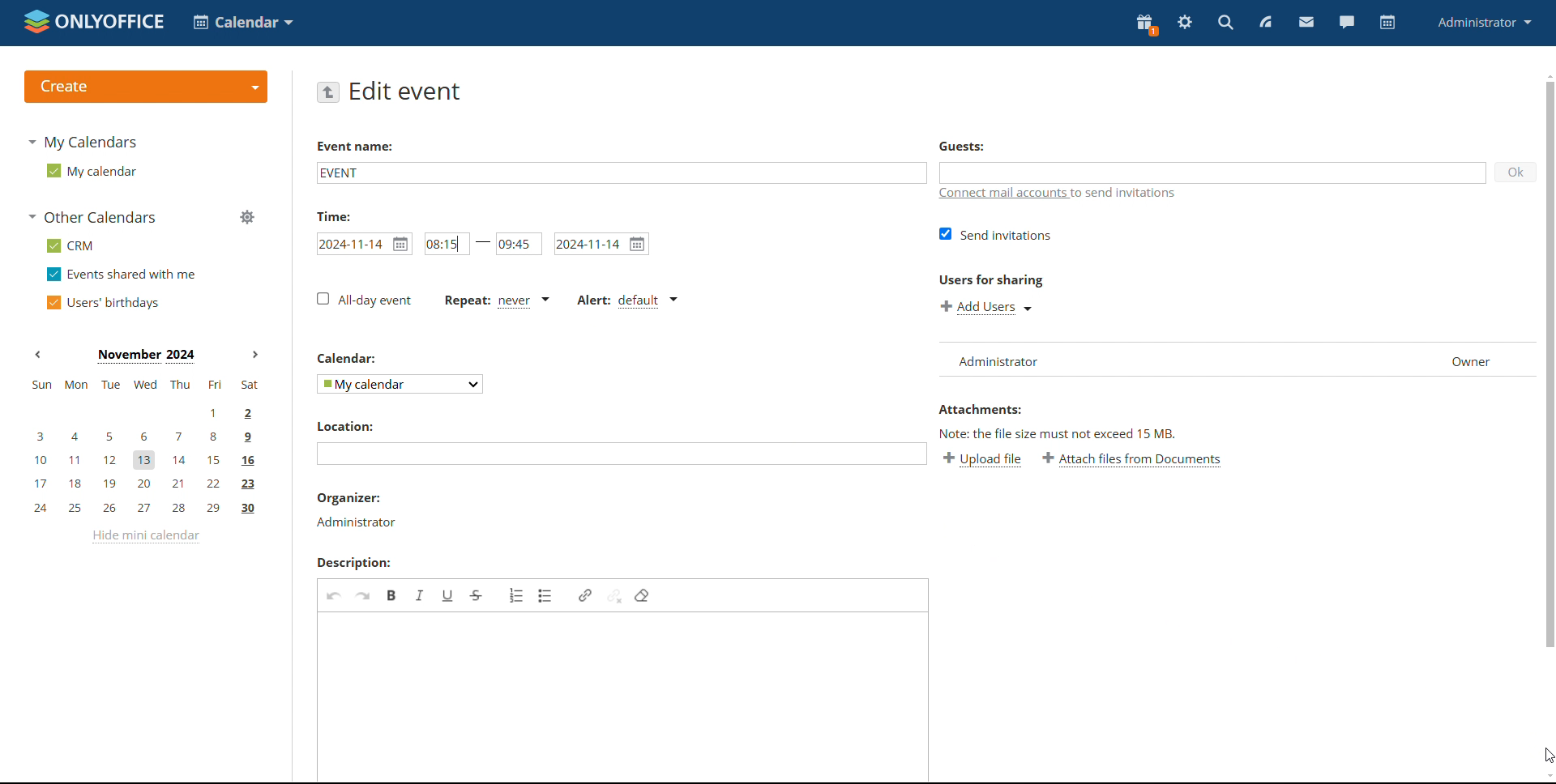 The height and width of the screenshot is (784, 1556). I want to click on start time changed 15 mins, so click(448, 244).